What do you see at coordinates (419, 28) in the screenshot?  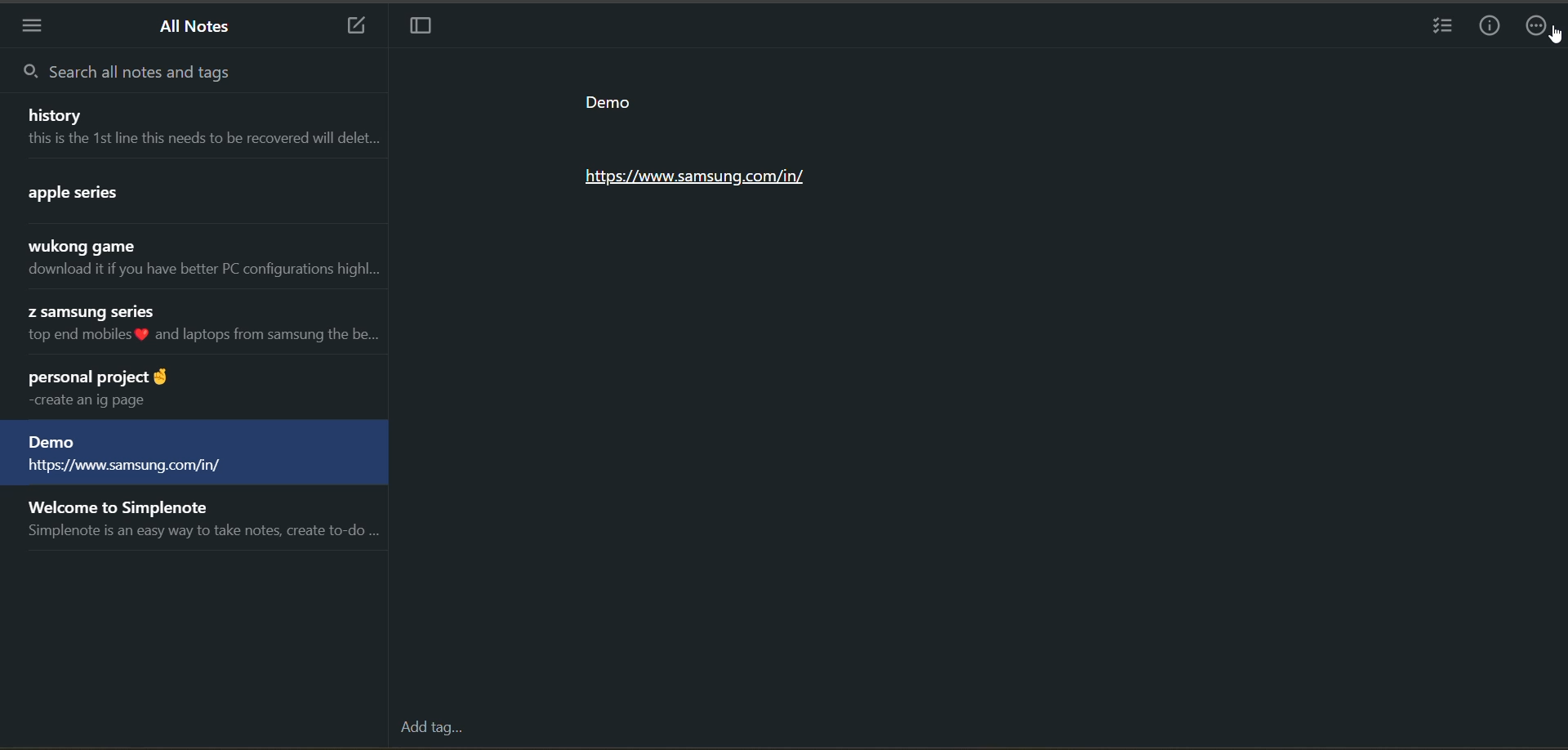 I see `toggle focus mode` at bounding box center [419, 28].